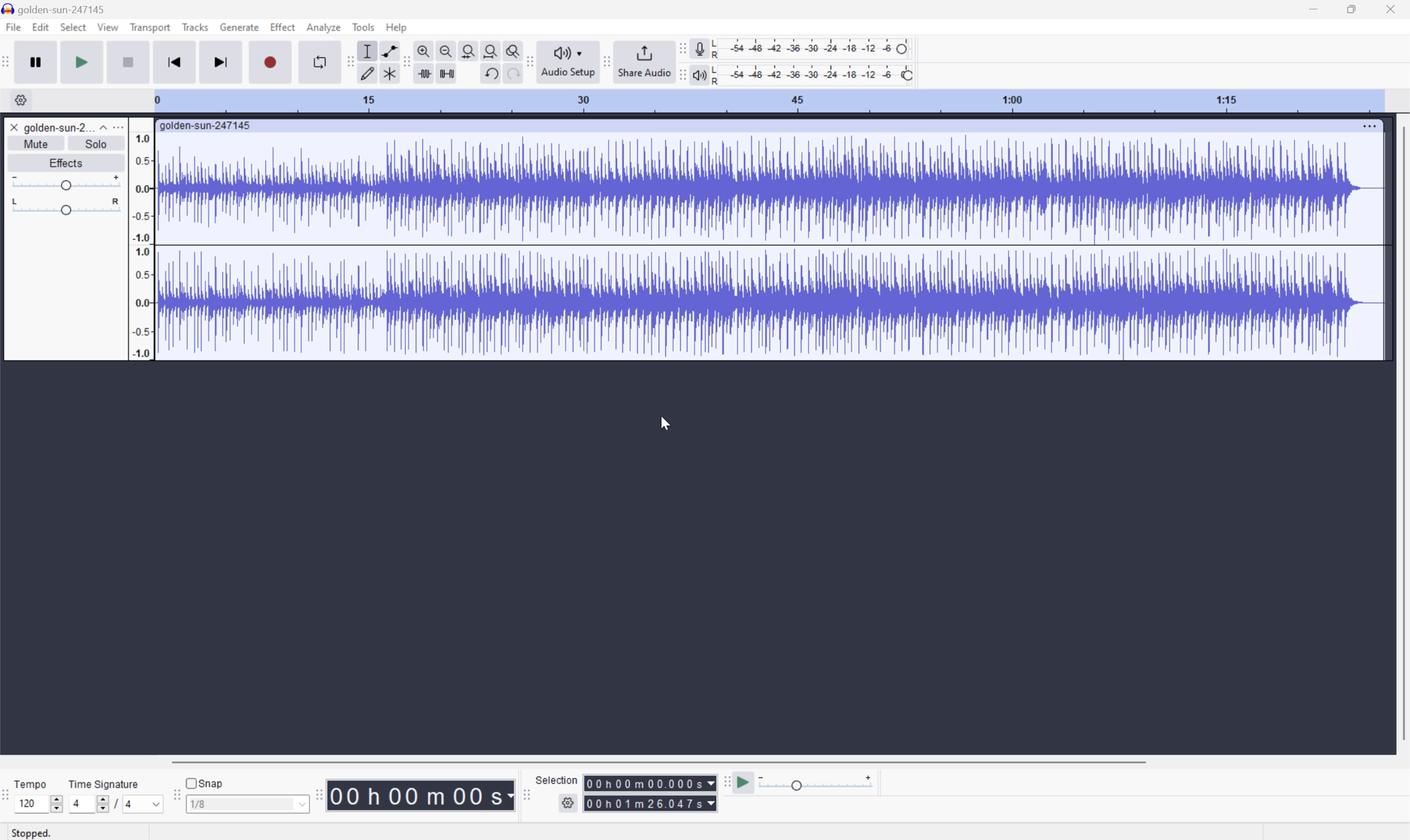 Image resolution: width=1410 pixels, height=840 pixels. Describe the element at coordinates (32, 833) in the screenshot. I see `Stopped` at that location.